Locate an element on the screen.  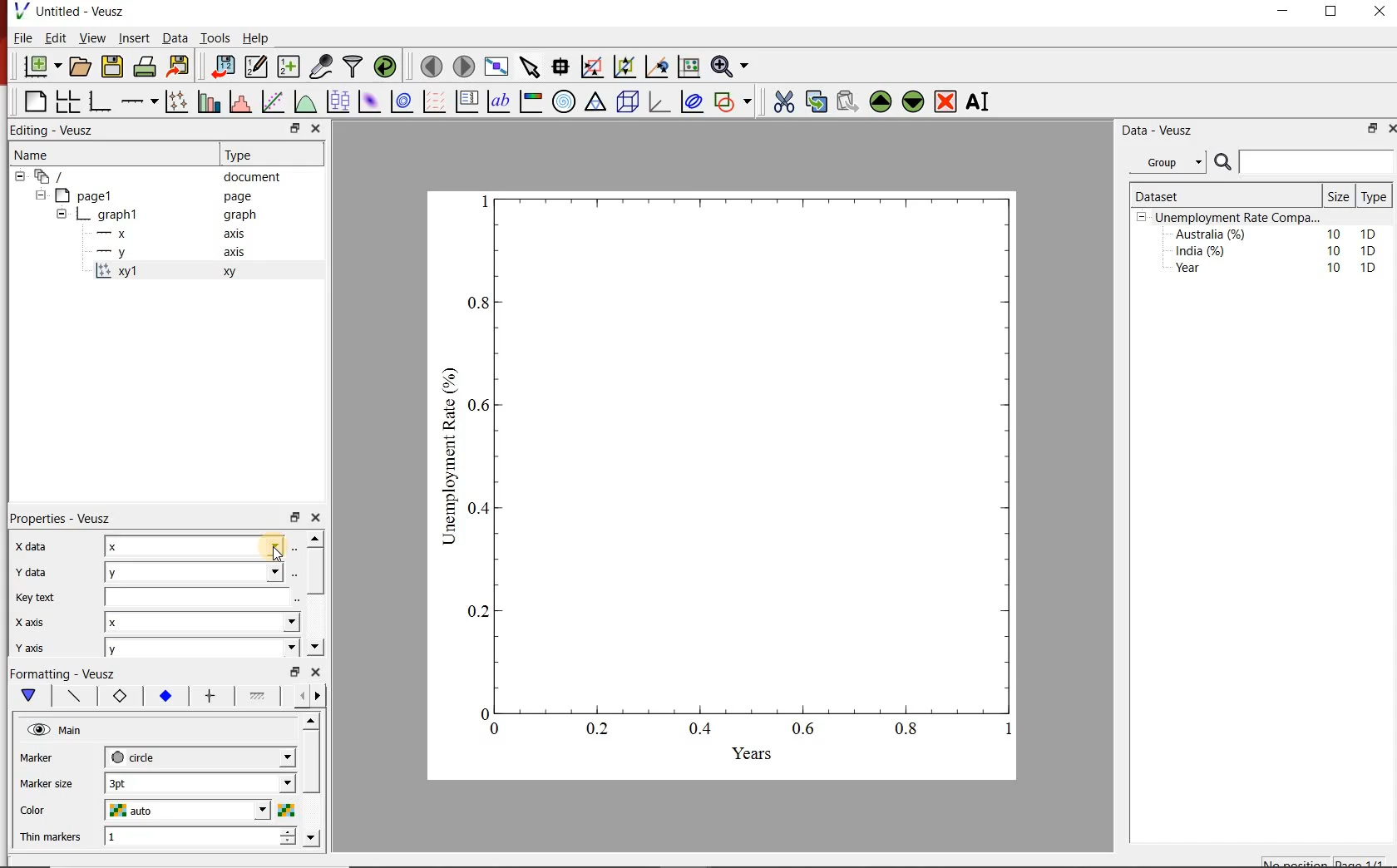
remove the widgets is located at coordinates (945, 101).